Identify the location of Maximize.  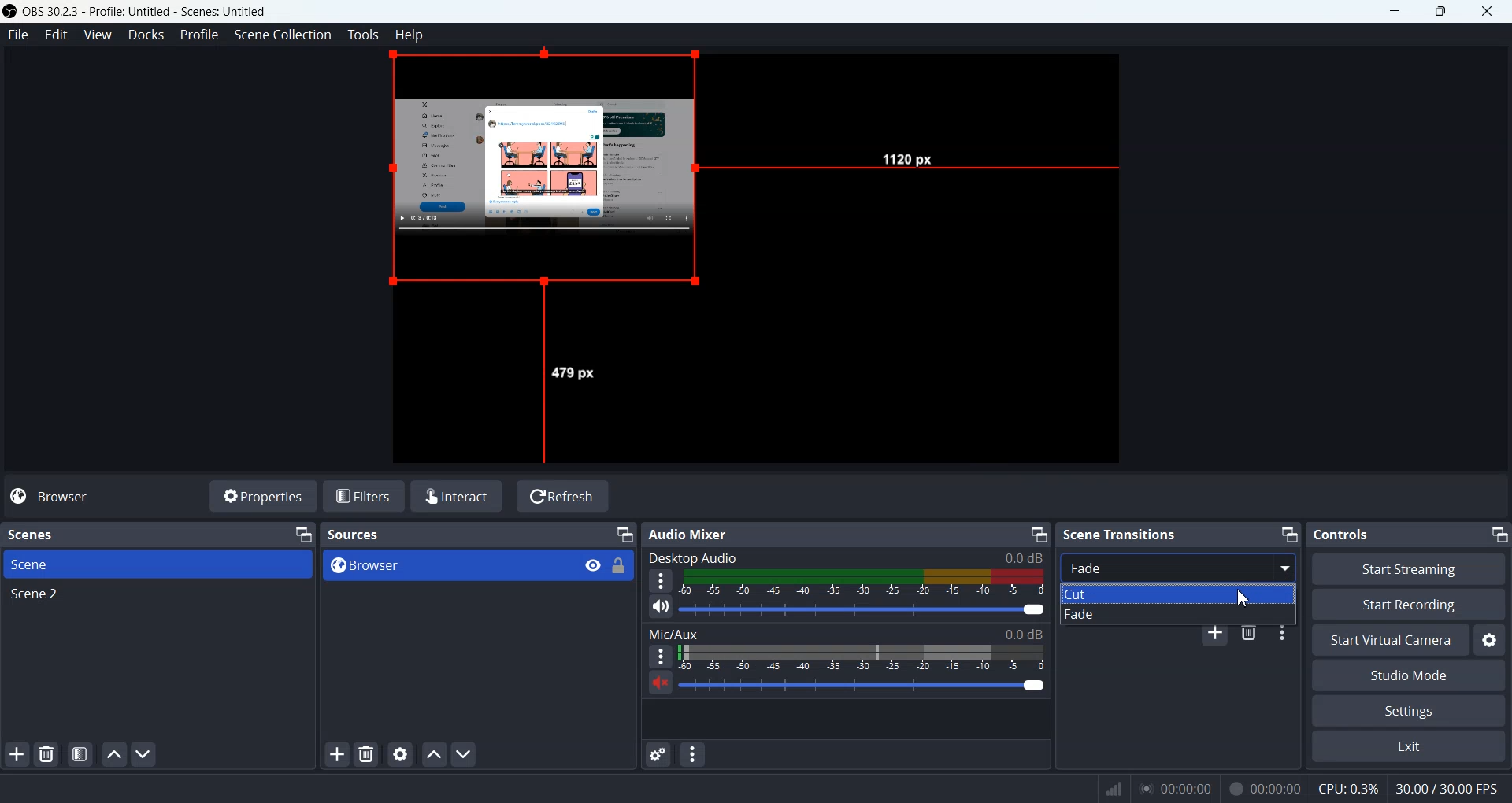
(1440, 11).